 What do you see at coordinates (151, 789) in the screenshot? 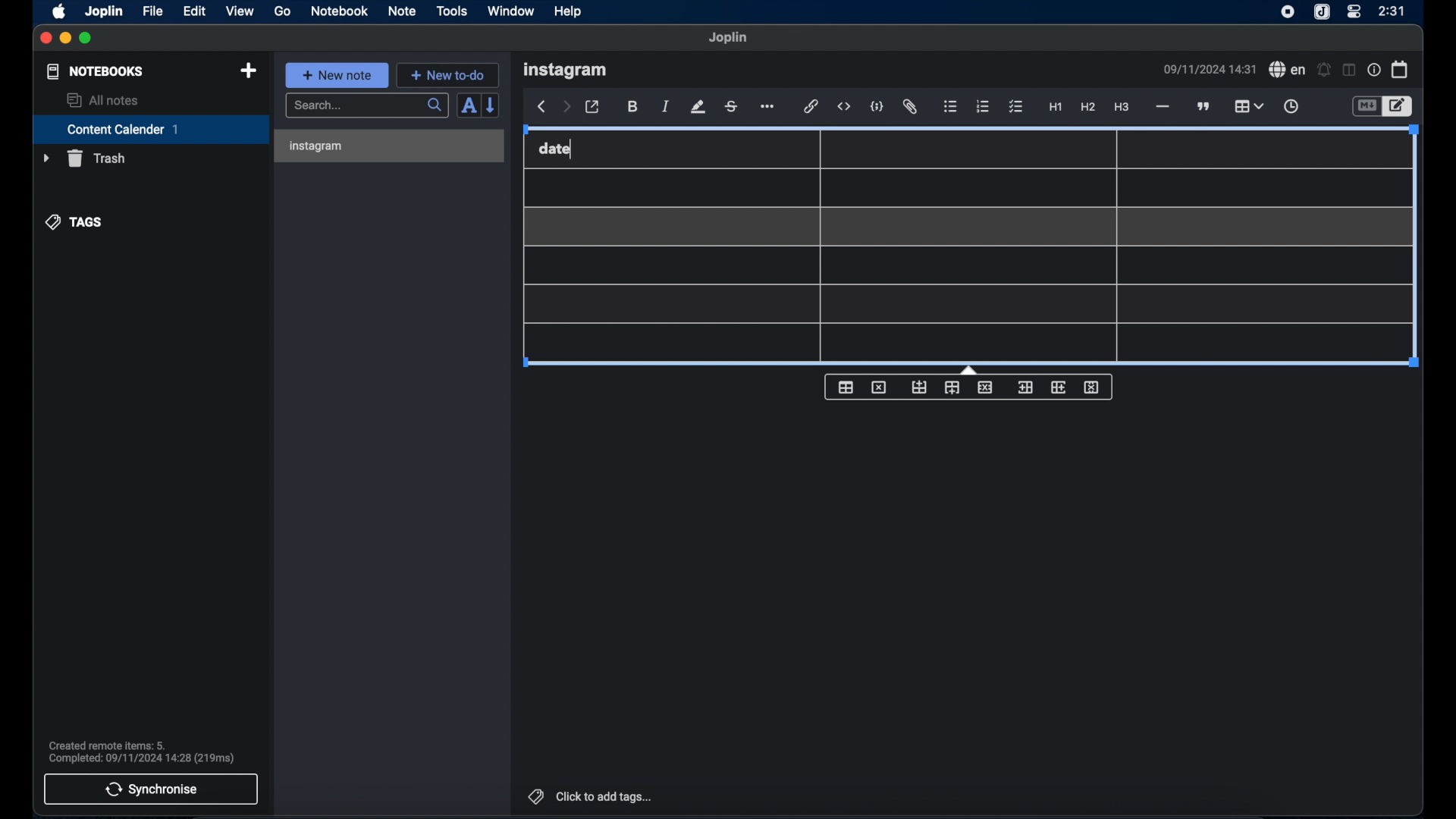
I see `synchronise` at bounding box center [151, 789].